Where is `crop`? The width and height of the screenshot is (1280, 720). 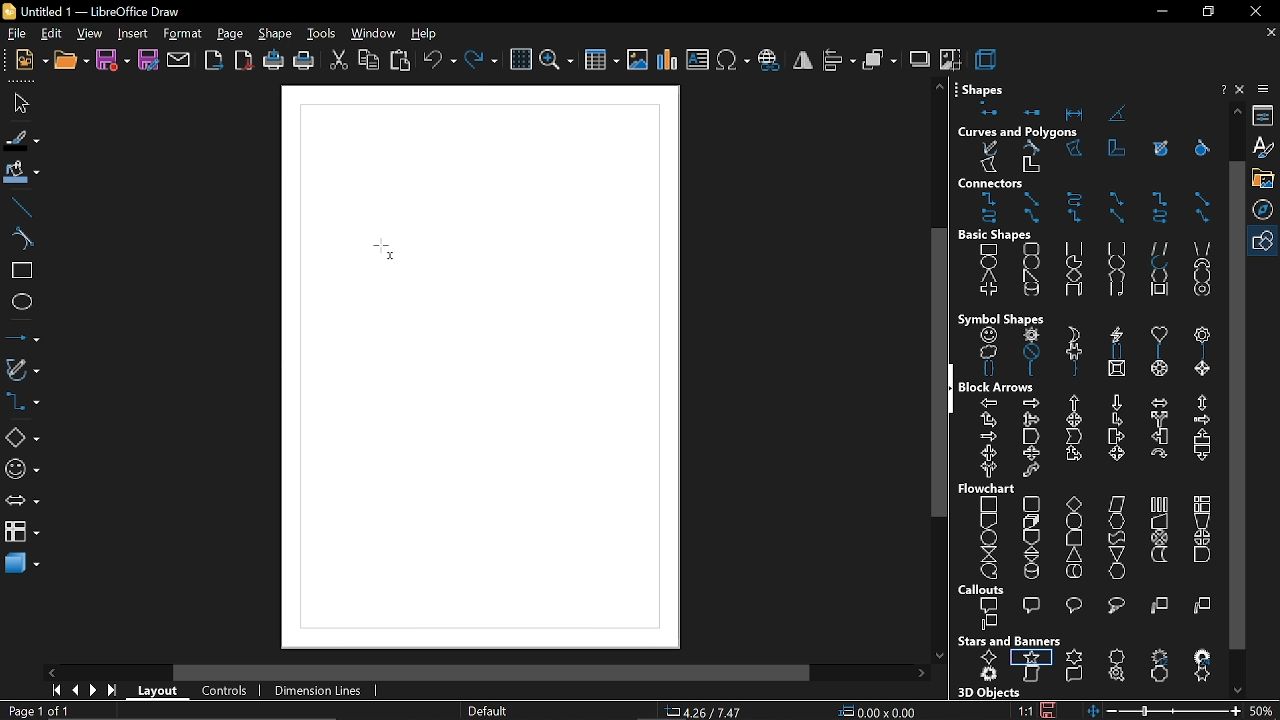
crop is located at coordinates (950, 60).